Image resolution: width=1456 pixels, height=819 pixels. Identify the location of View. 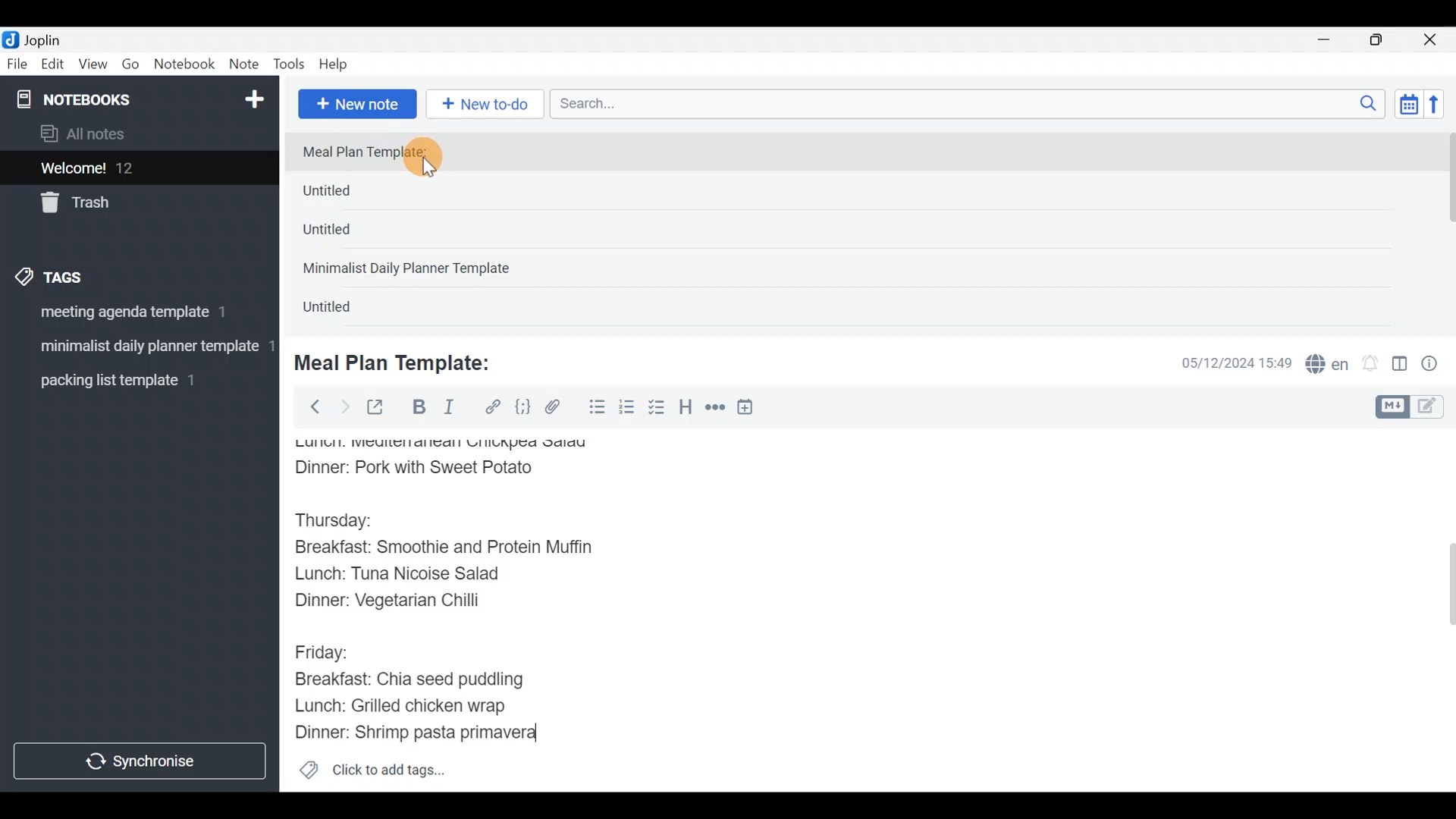
(93, 67).